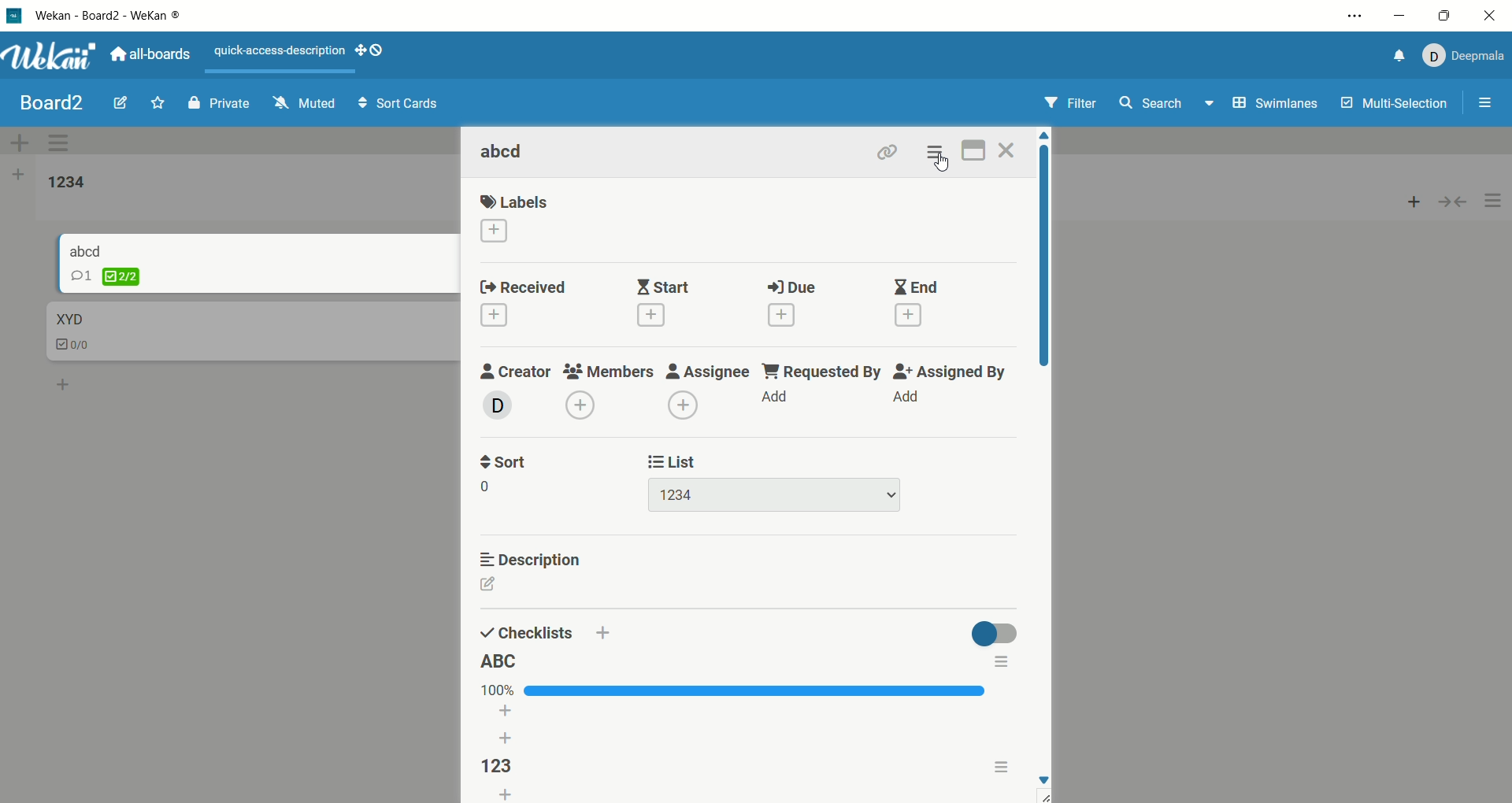 The height and width of the screenshot is (803, 1512). I want to click on close, so click(1010, 150).